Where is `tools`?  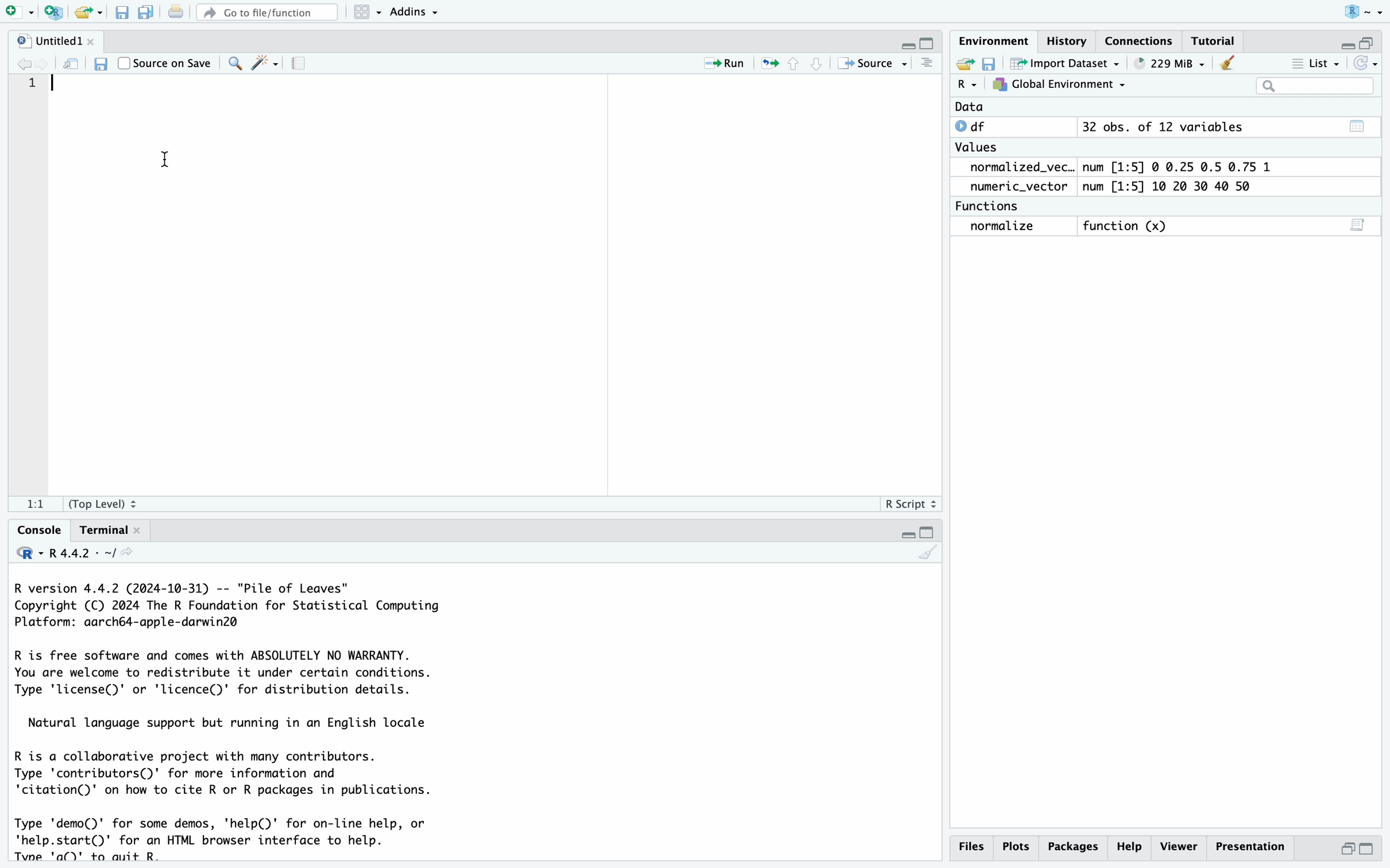 tools is located at coordinates (265, 64).